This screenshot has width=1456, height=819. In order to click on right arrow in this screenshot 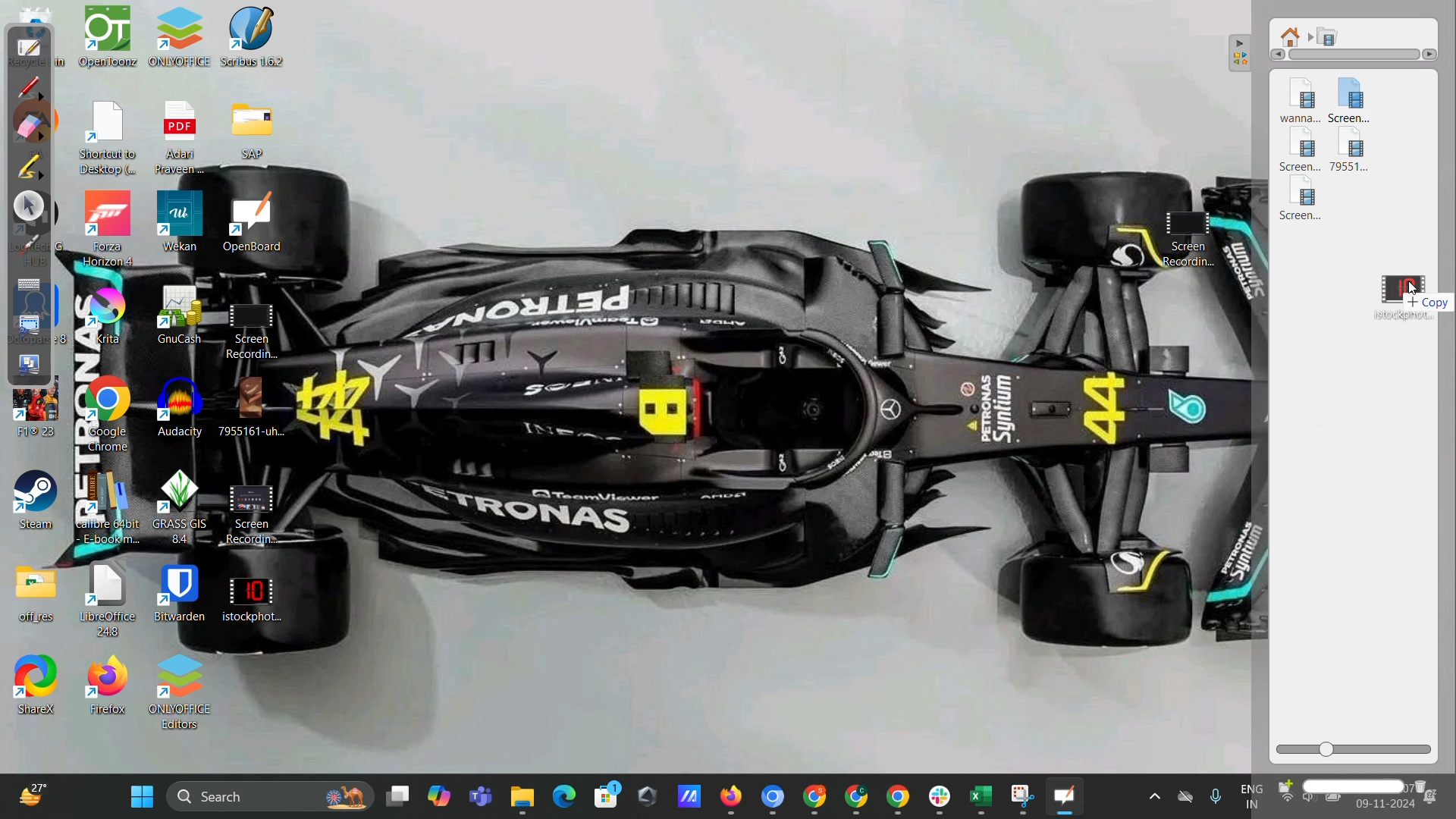, I will do `click(1432, 55)`.